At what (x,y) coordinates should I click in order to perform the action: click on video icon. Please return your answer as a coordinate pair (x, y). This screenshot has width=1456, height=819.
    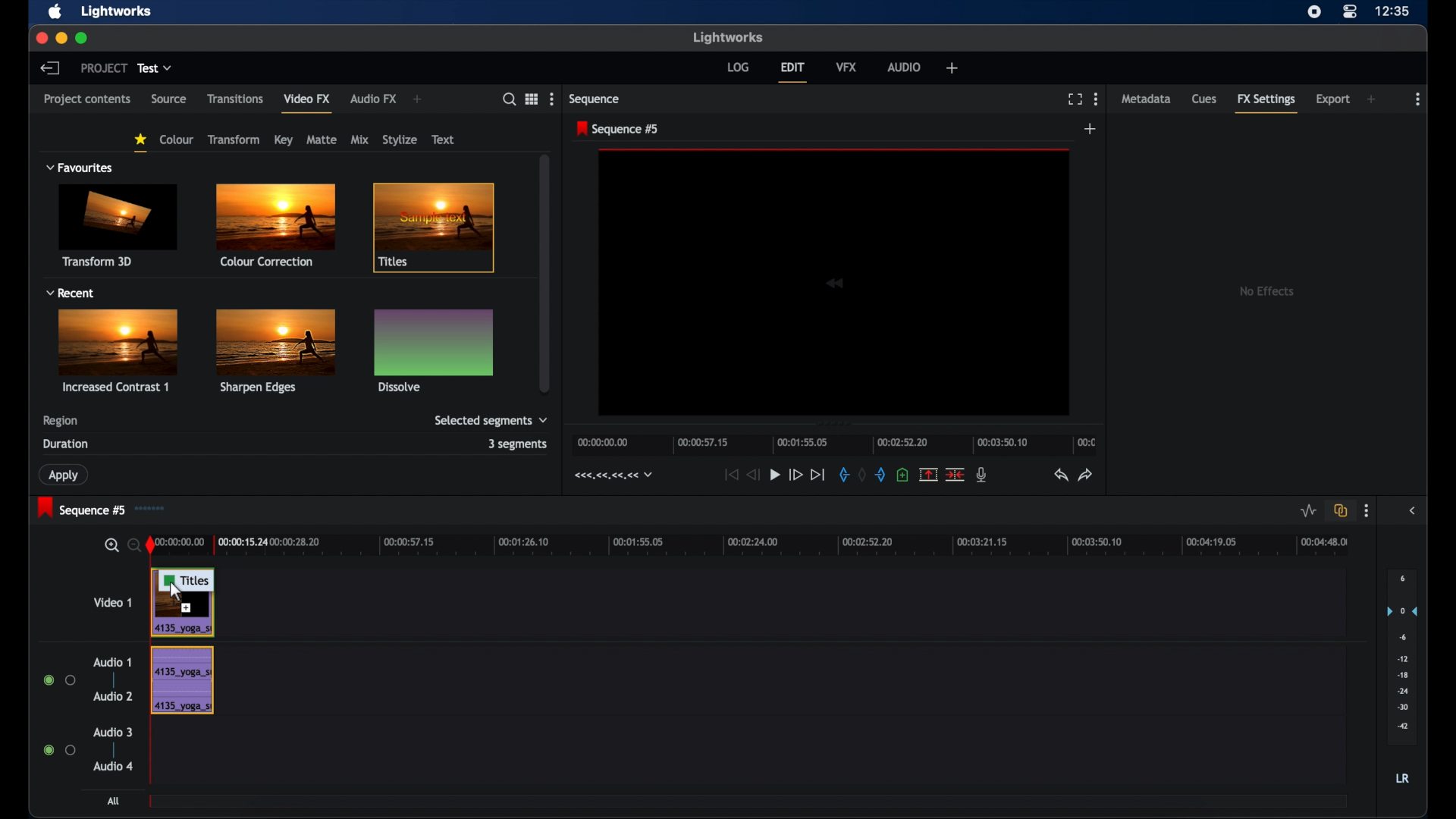
    Looking at the image, I should click on (841, 281).